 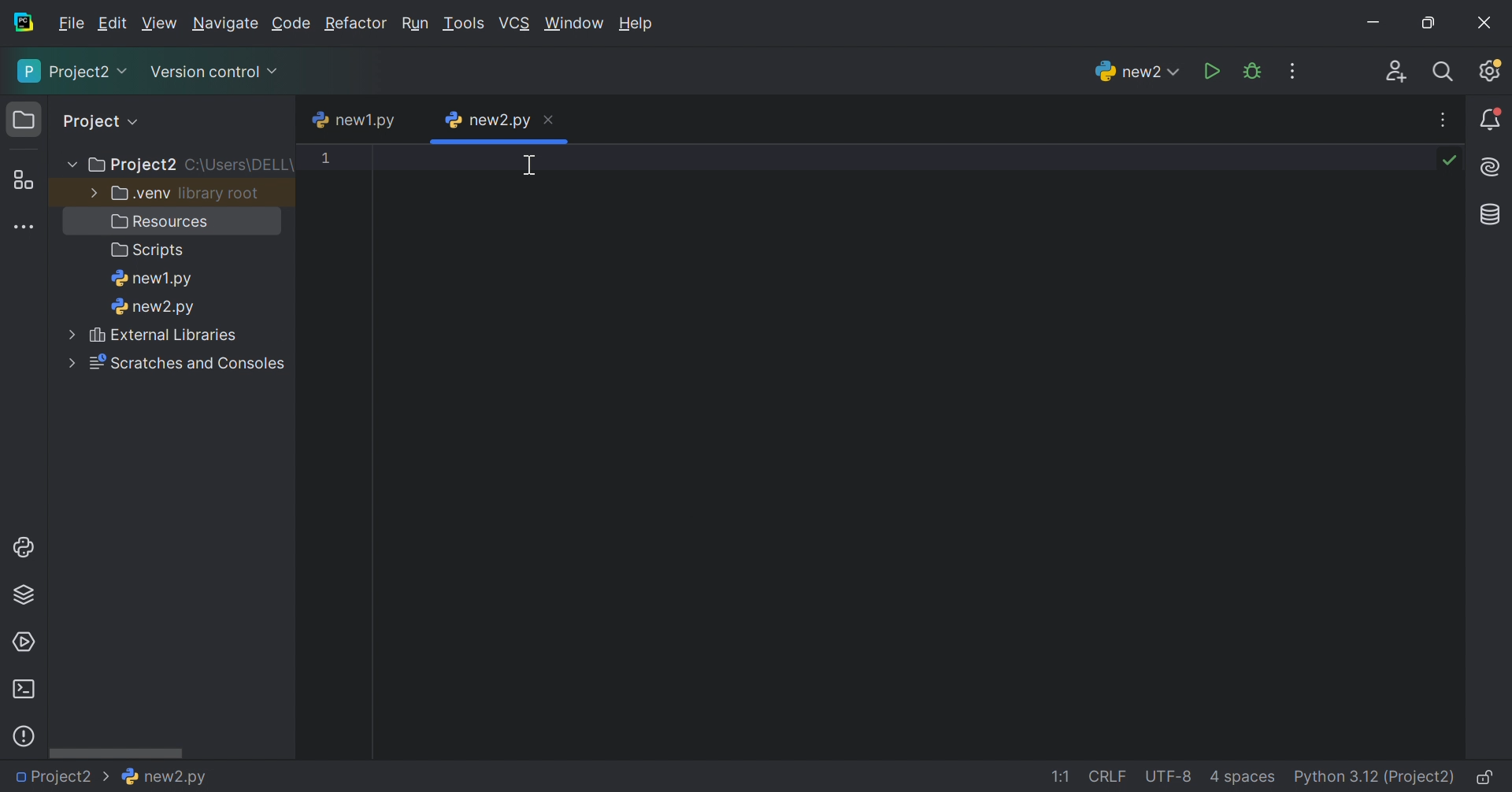 I want to click on More, so click(x=70, y=162).